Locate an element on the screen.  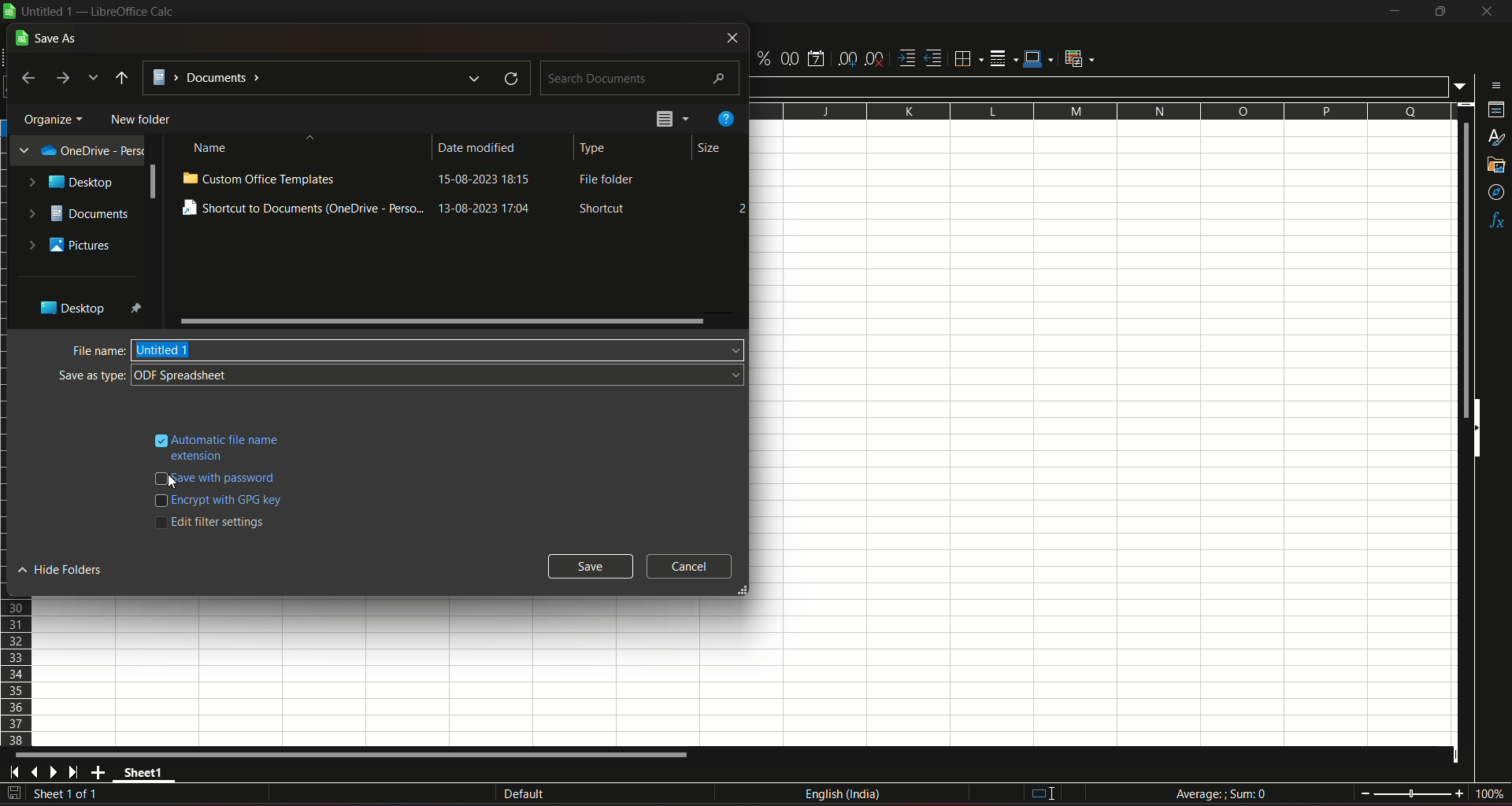
language is located at coordinates (845, 797).